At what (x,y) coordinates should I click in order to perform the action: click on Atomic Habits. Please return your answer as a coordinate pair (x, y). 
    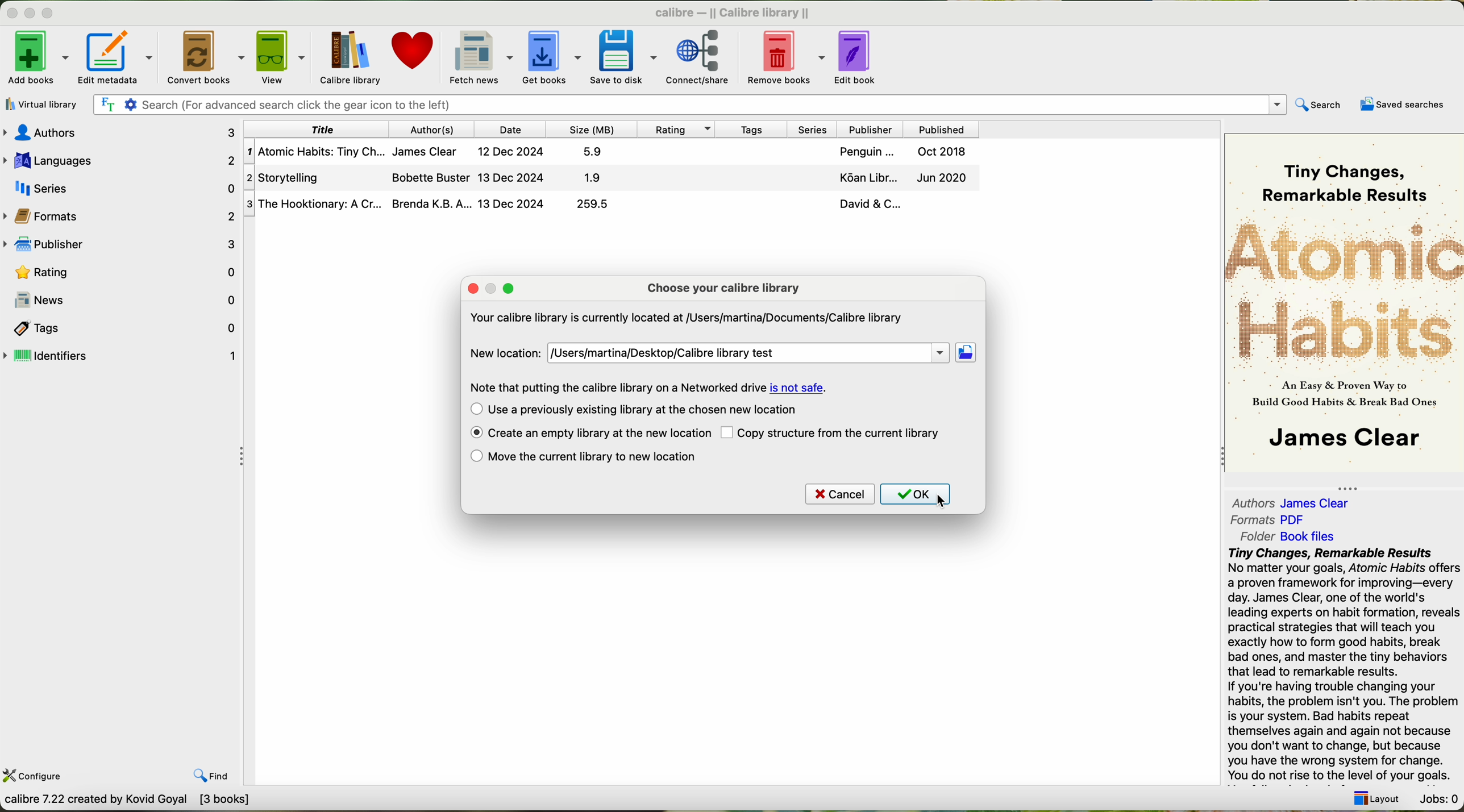
    Looking at the image, I should click on (1345, 289).